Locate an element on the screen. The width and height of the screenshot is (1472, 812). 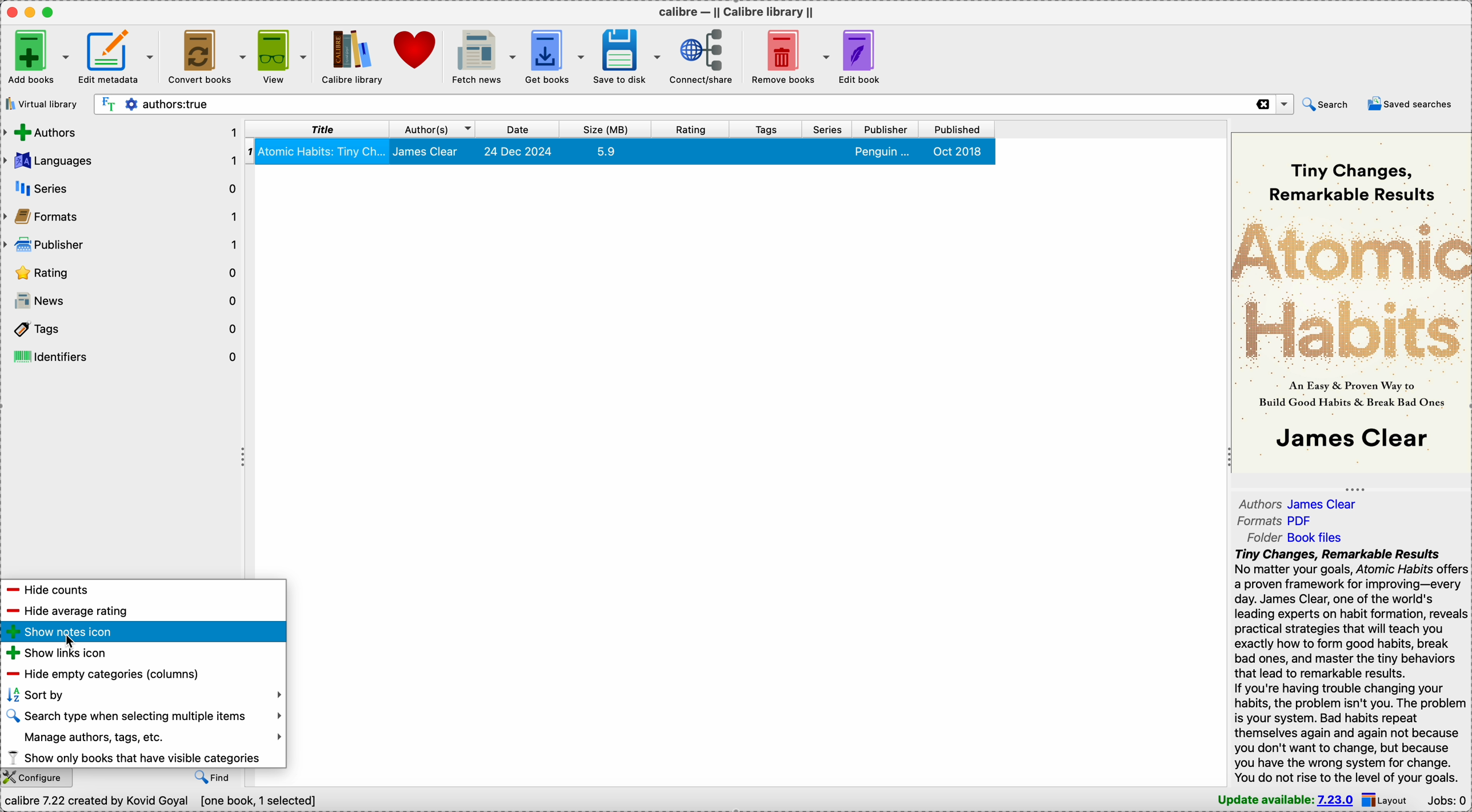
donate is located at coordinates (416, 50).